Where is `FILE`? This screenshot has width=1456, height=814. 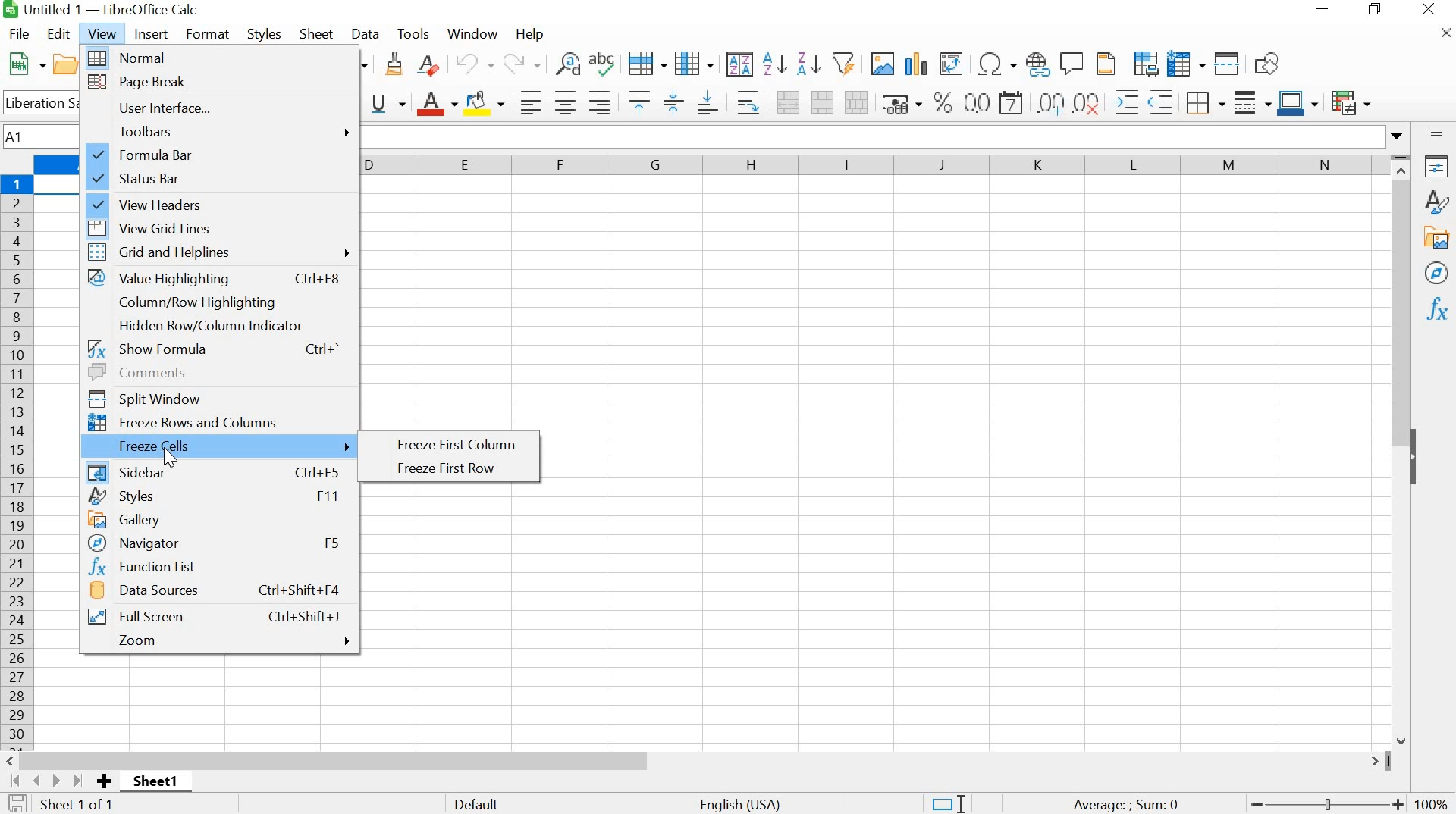
FILE is located at coordinates (18, 33).